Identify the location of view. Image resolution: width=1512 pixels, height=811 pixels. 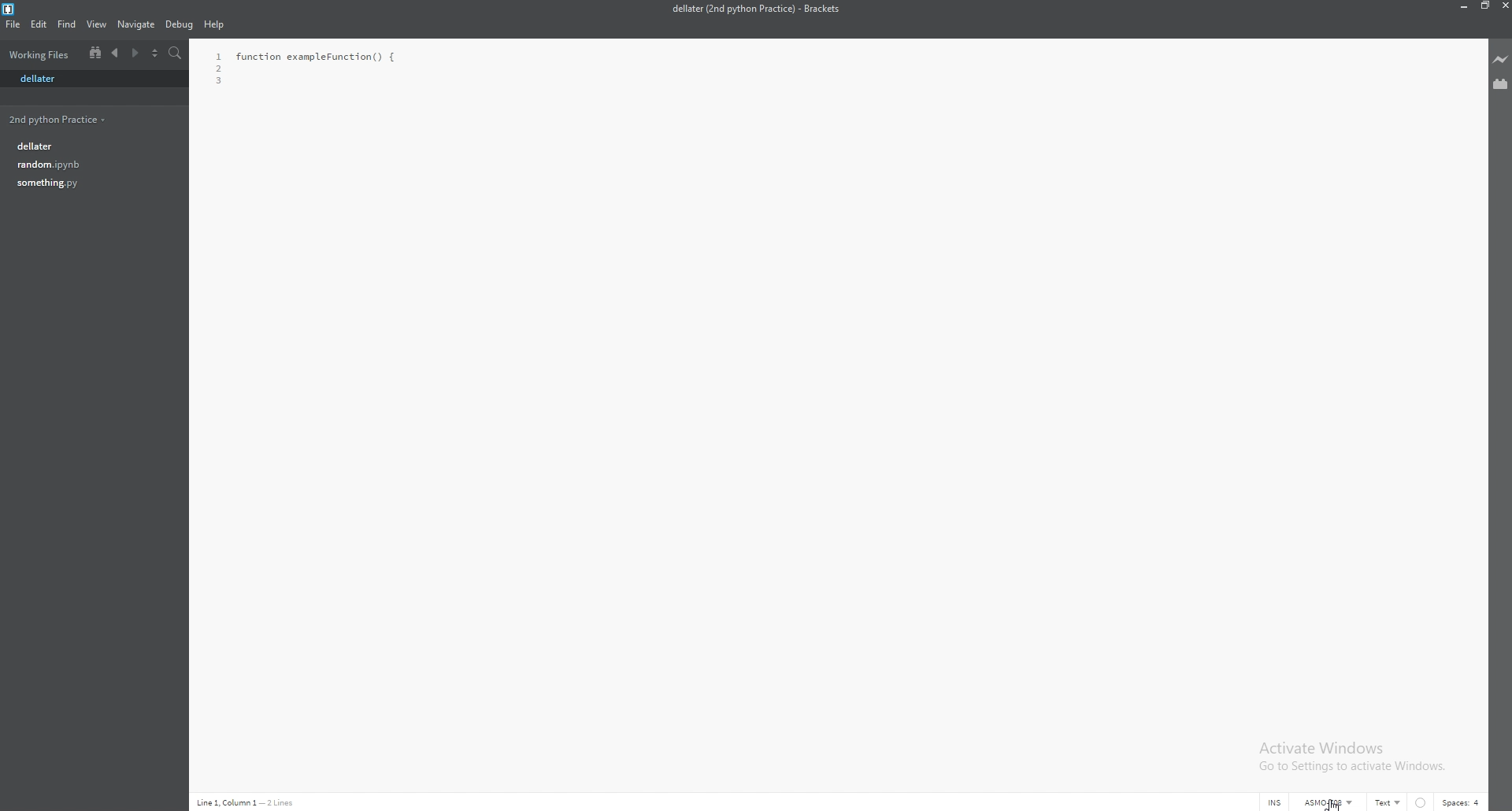
(97, 24).